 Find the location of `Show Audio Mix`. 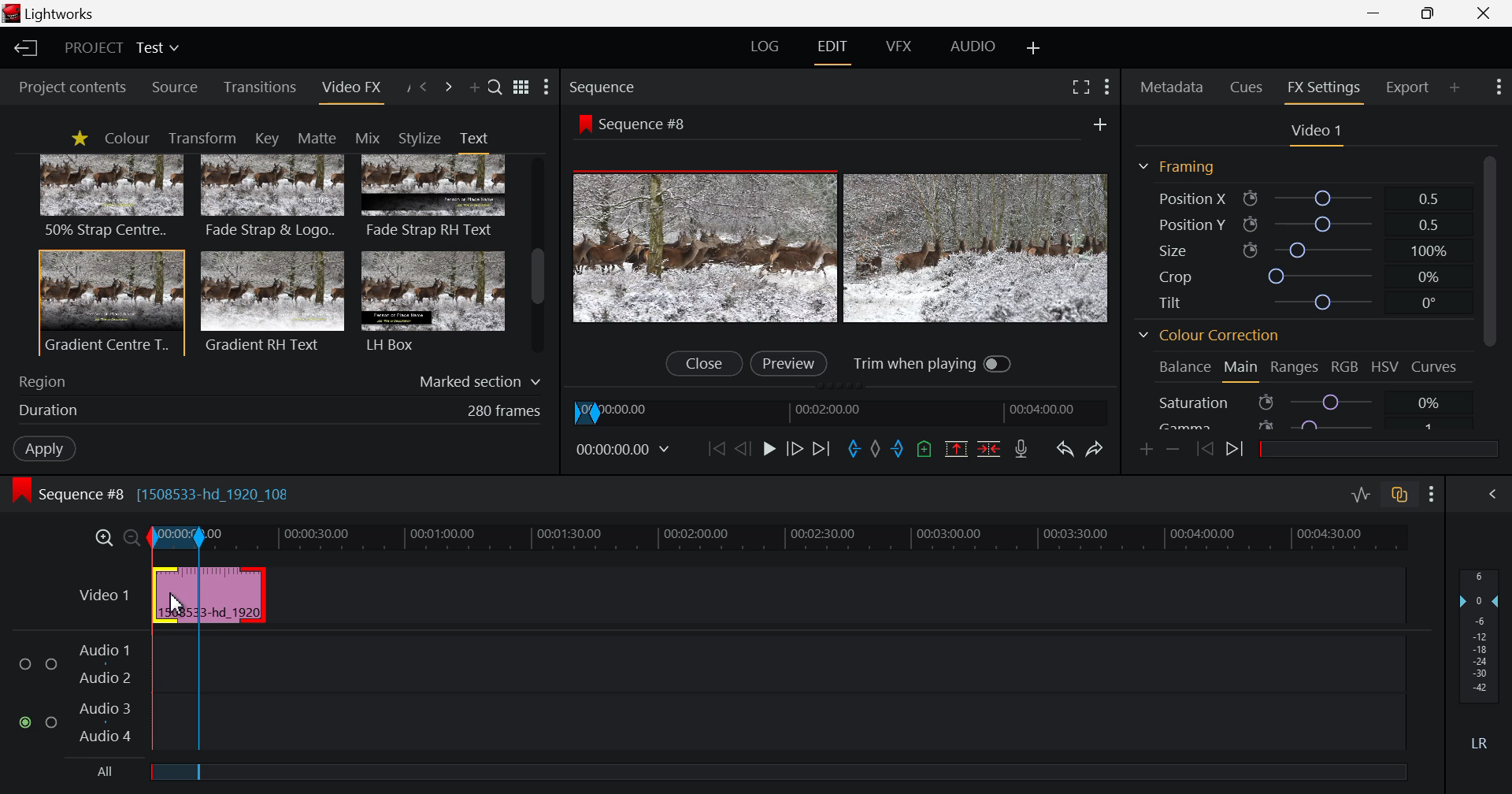

Show Audio Mix is located at coordinates (1496, 495).